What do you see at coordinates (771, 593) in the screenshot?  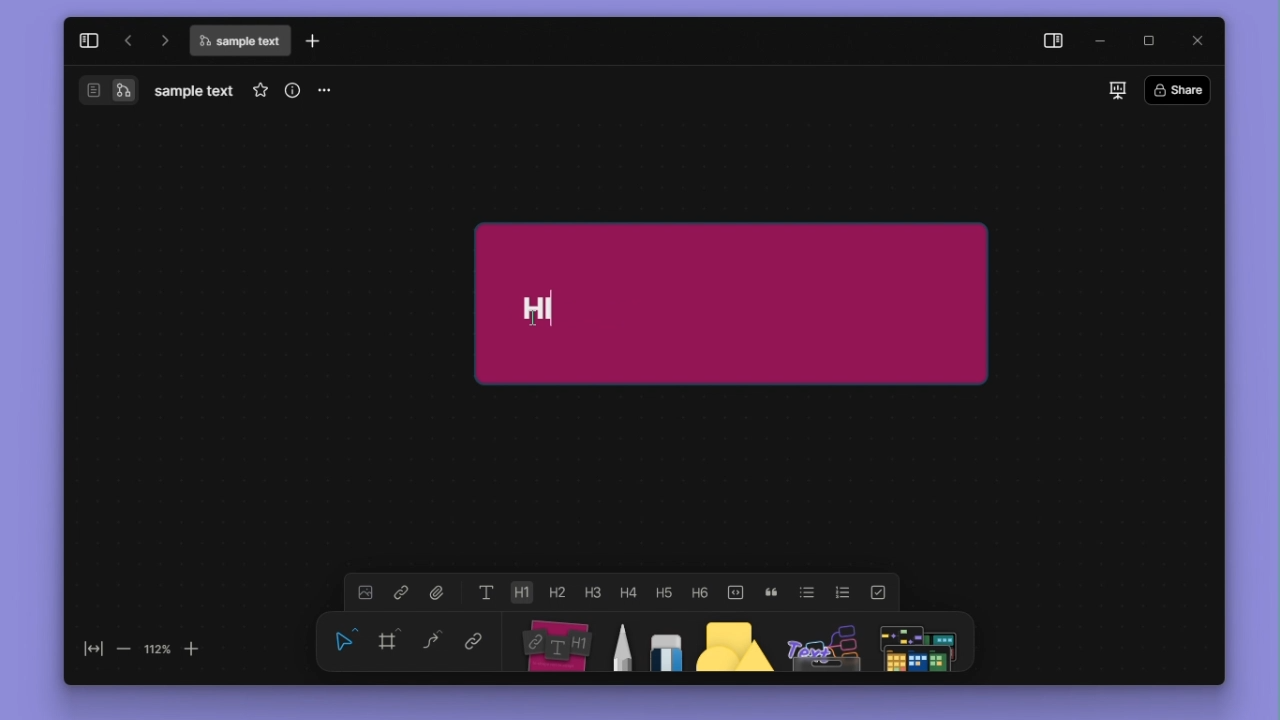 I see `quote` at bounding box center [771, 593].